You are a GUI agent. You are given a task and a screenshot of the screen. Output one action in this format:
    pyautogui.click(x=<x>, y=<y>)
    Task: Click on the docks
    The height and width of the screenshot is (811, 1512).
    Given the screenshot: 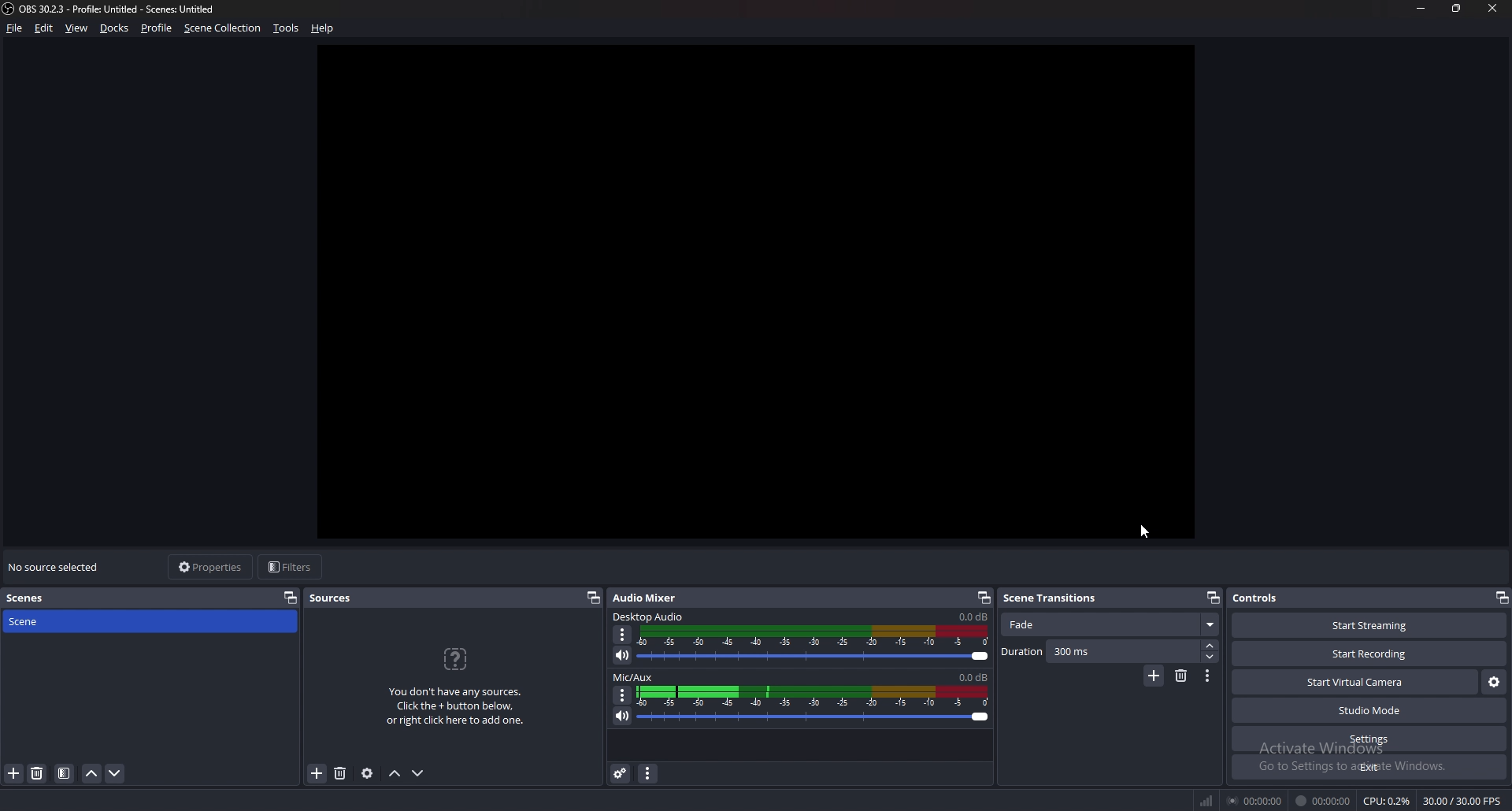 What is the action you would take?
    pyautogui.click(x=117, y=28)
    